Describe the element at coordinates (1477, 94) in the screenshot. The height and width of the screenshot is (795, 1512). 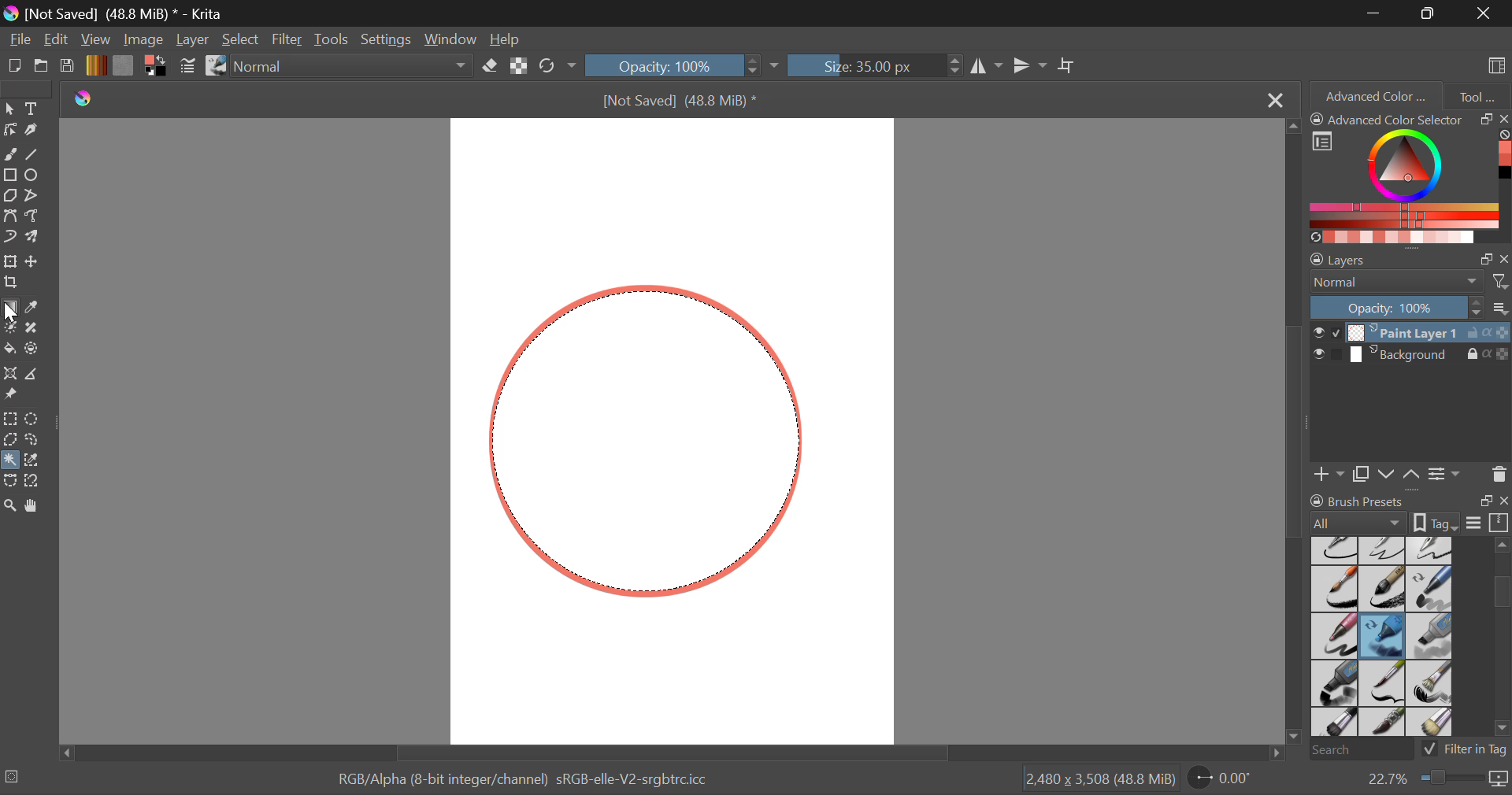
I see `Tool` at that location.